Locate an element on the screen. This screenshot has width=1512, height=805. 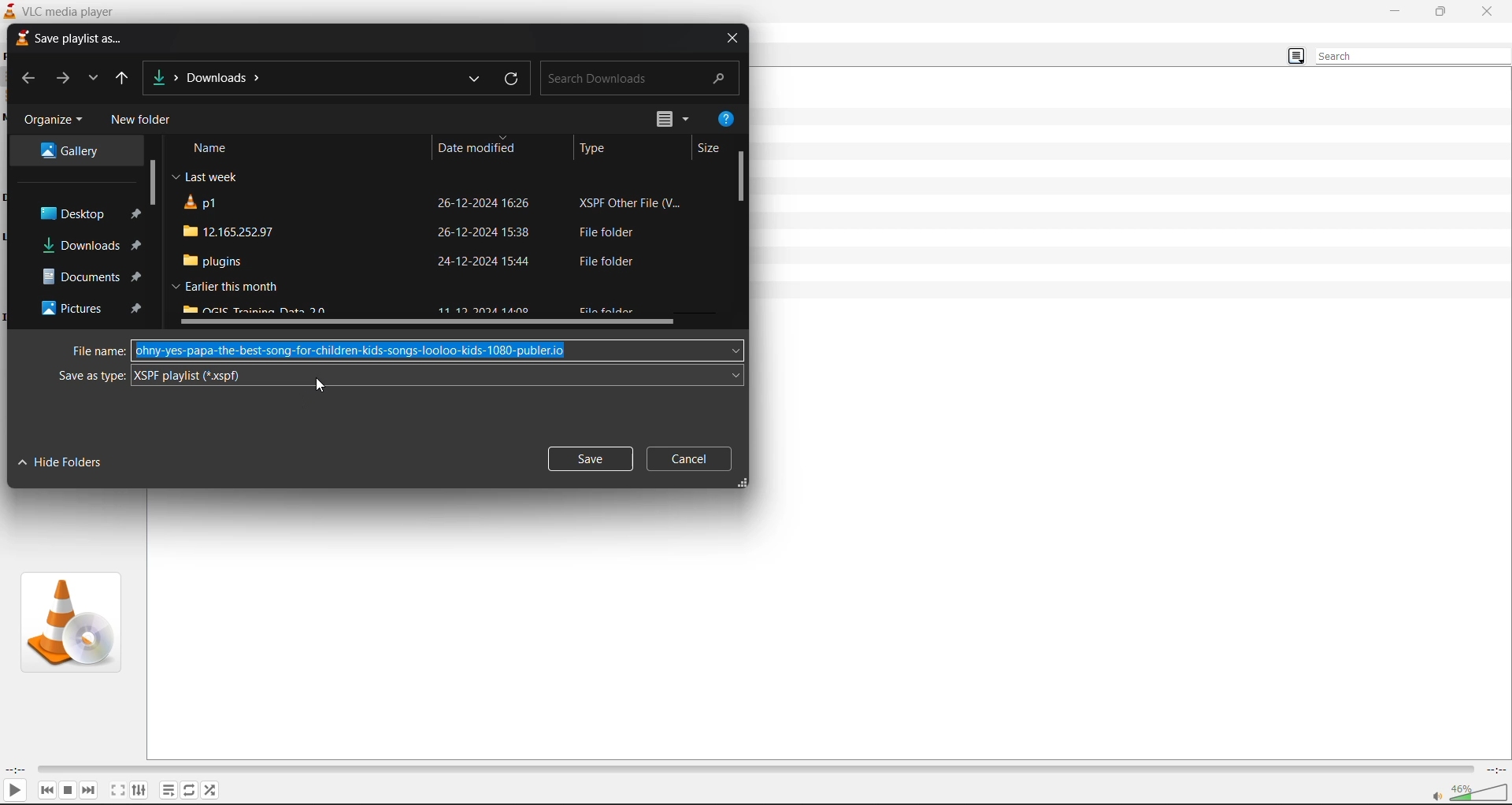
loop is located at coordinates (188, 790).